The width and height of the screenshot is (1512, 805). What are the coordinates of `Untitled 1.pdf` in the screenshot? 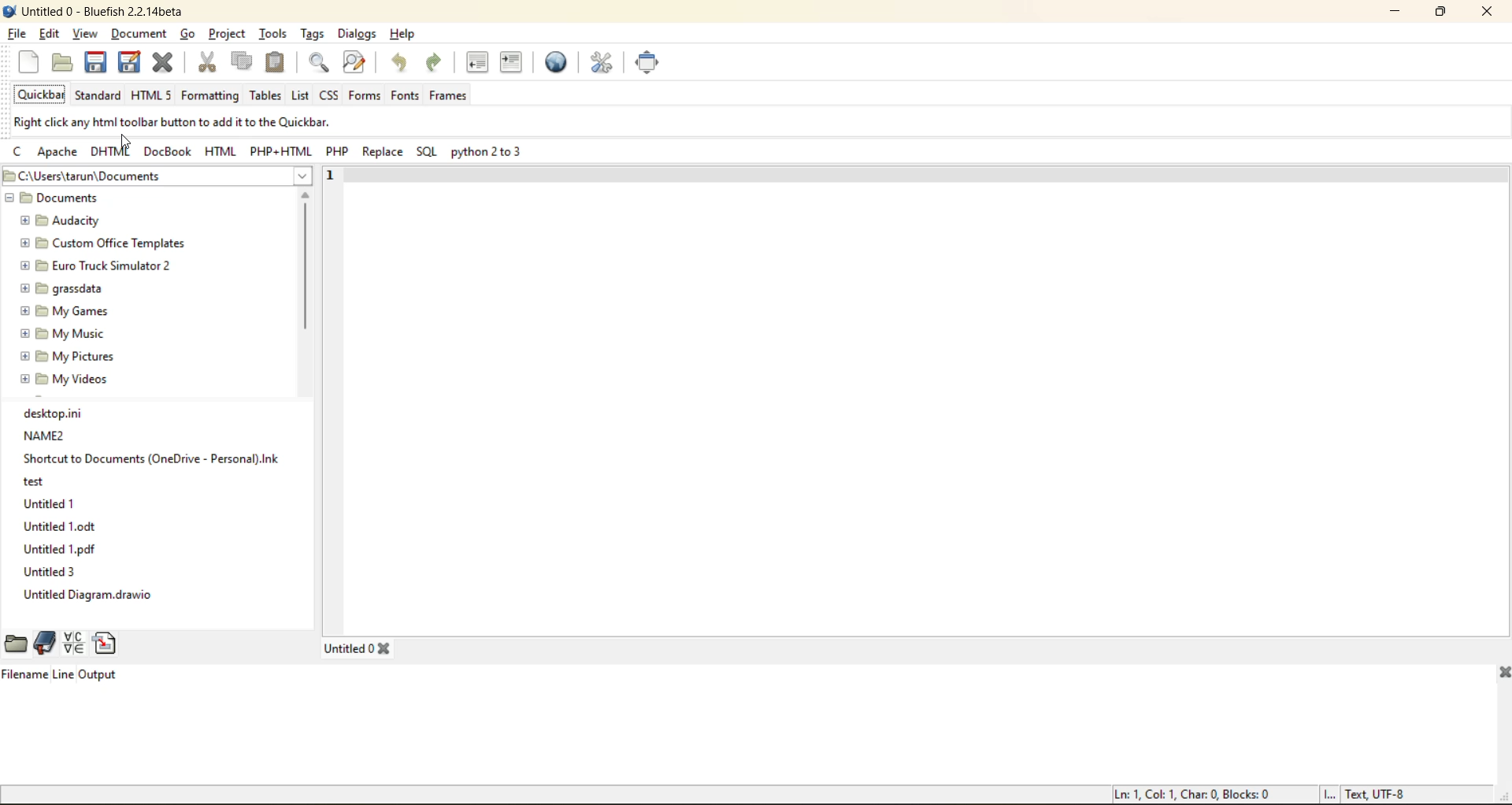 It's located at (58, 550).